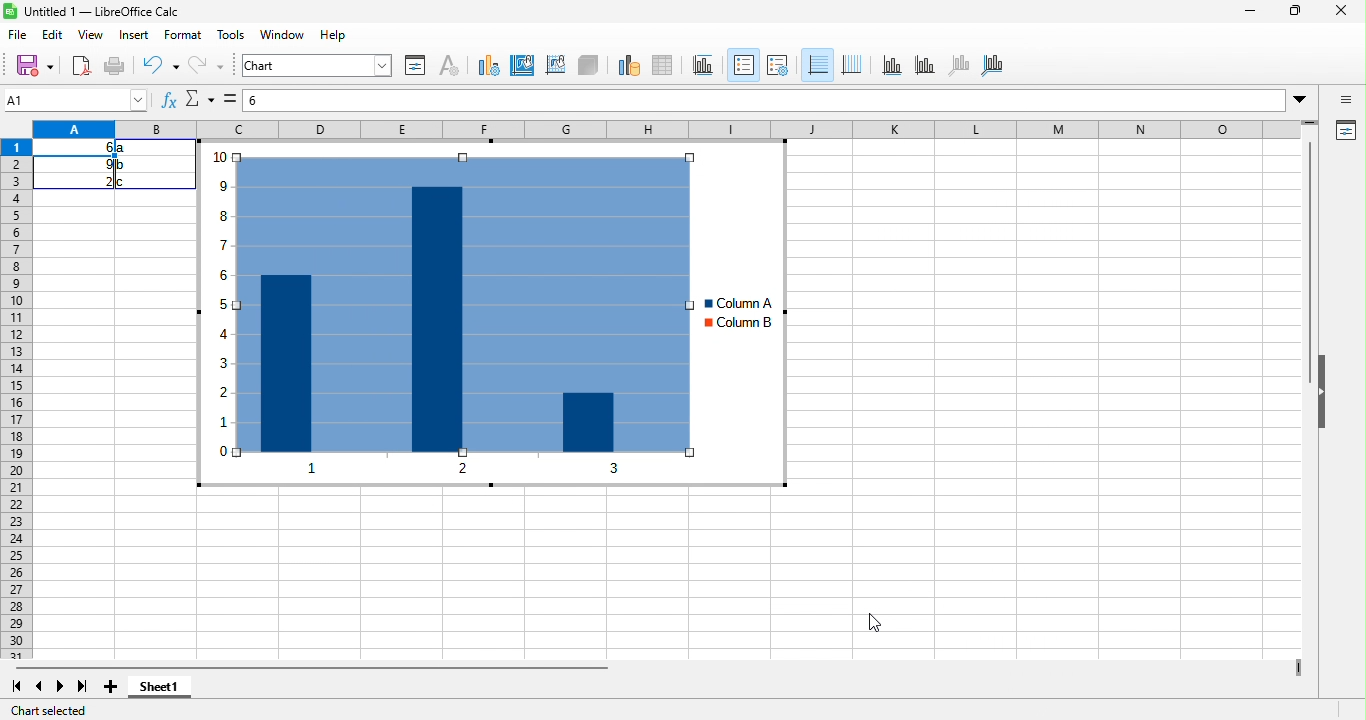 This screenshot has height=720, width=1366. What do you see at coordinates (180, 692) in the screenshot?
I see `sheet1` at bounding box center [180, 692].